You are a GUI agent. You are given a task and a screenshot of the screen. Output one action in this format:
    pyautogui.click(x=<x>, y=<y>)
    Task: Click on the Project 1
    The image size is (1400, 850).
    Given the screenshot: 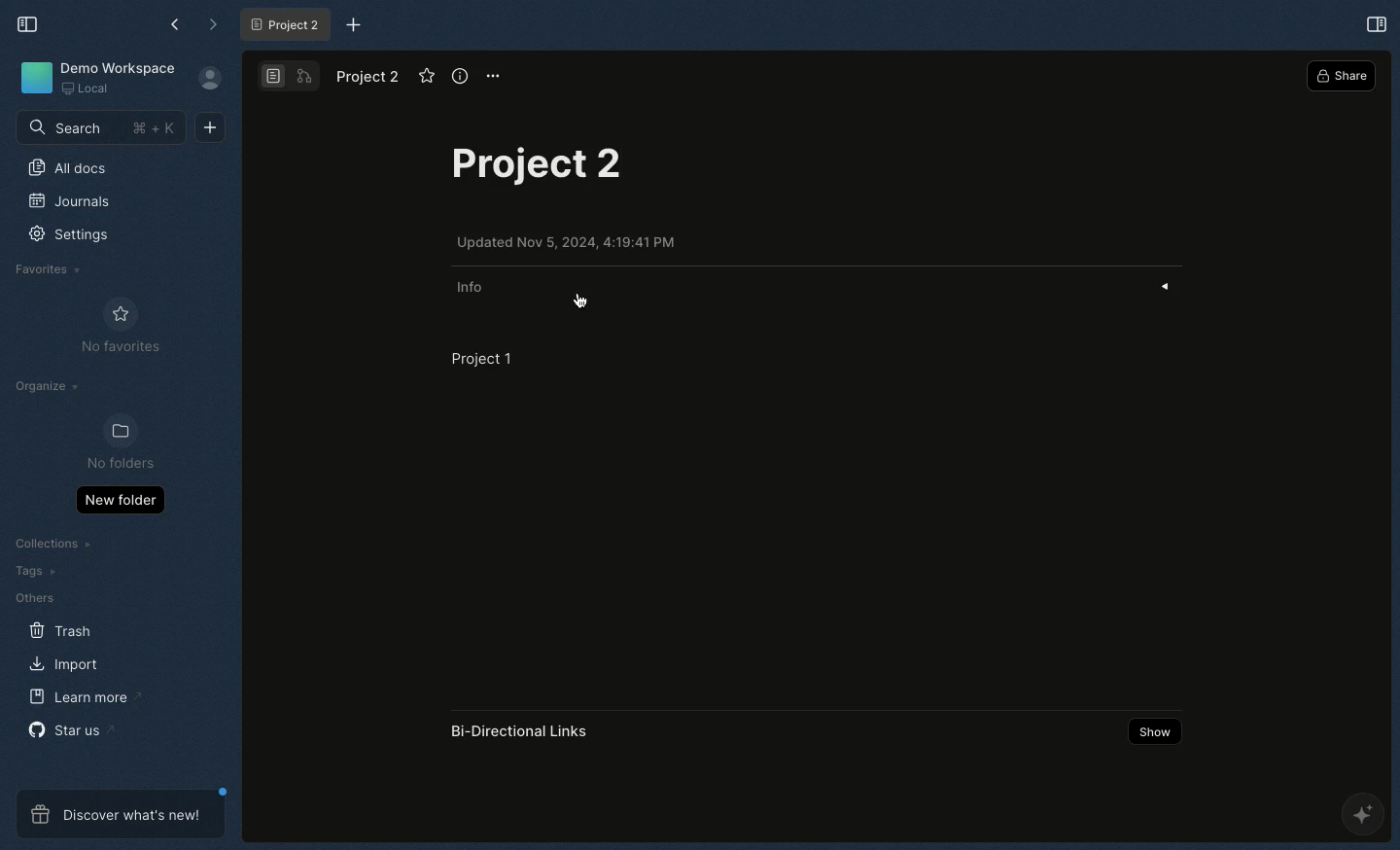 What is the action you would take?
    pyautogui.click(x=481, y=358)
    